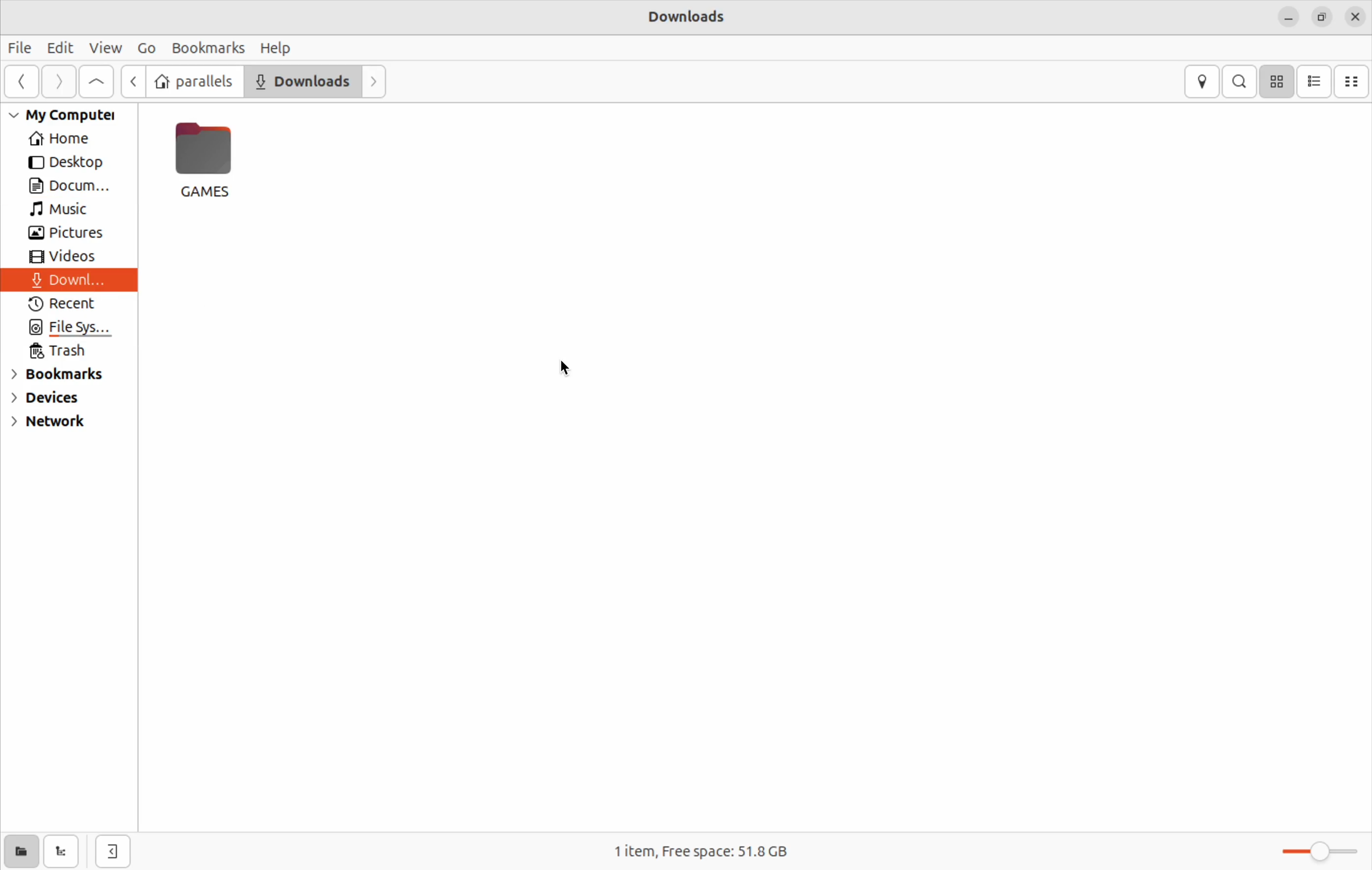  I want to click on desktop, so click(71, 163).